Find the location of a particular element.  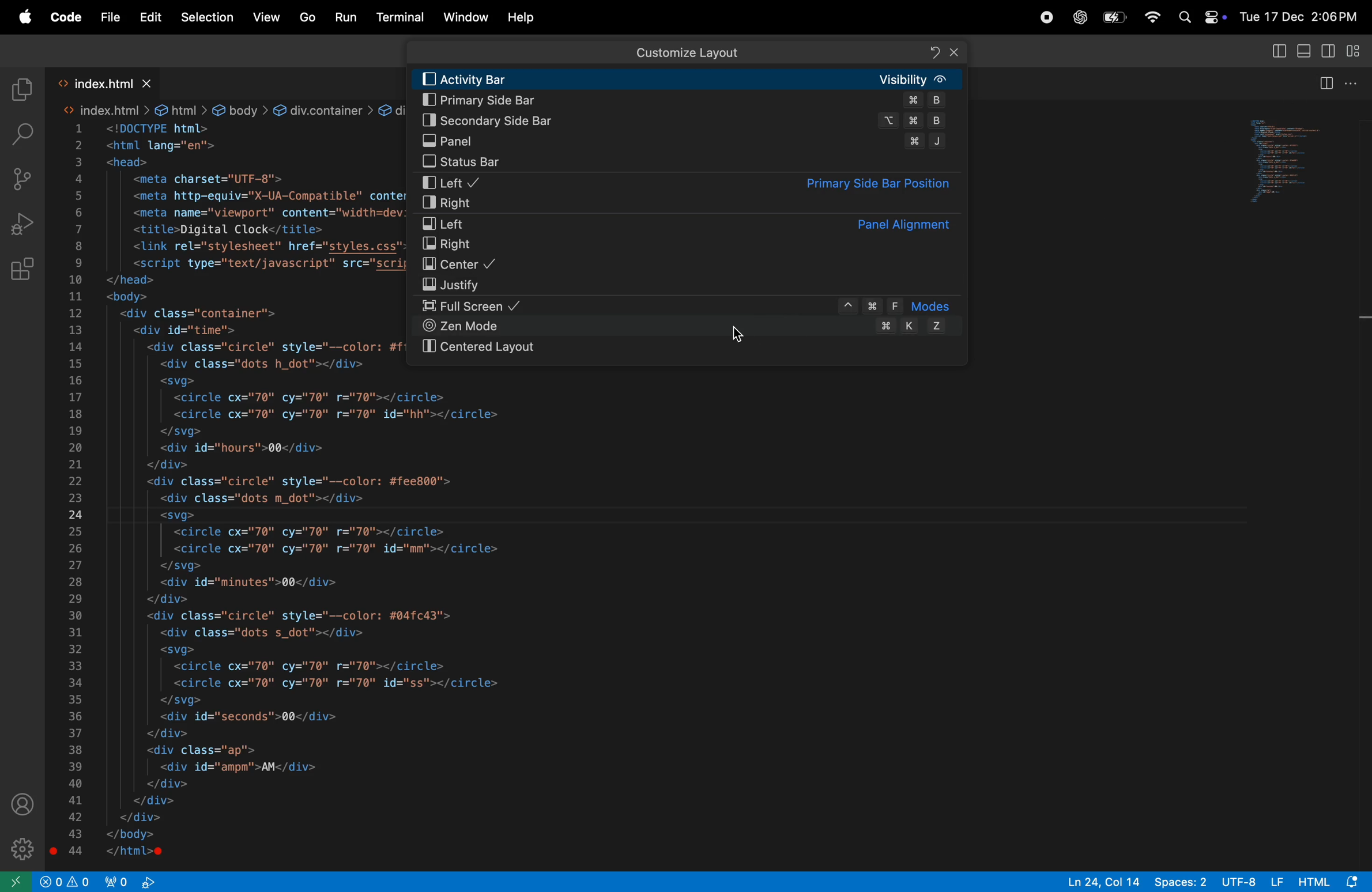

selection is located at coordinates (206, 18).